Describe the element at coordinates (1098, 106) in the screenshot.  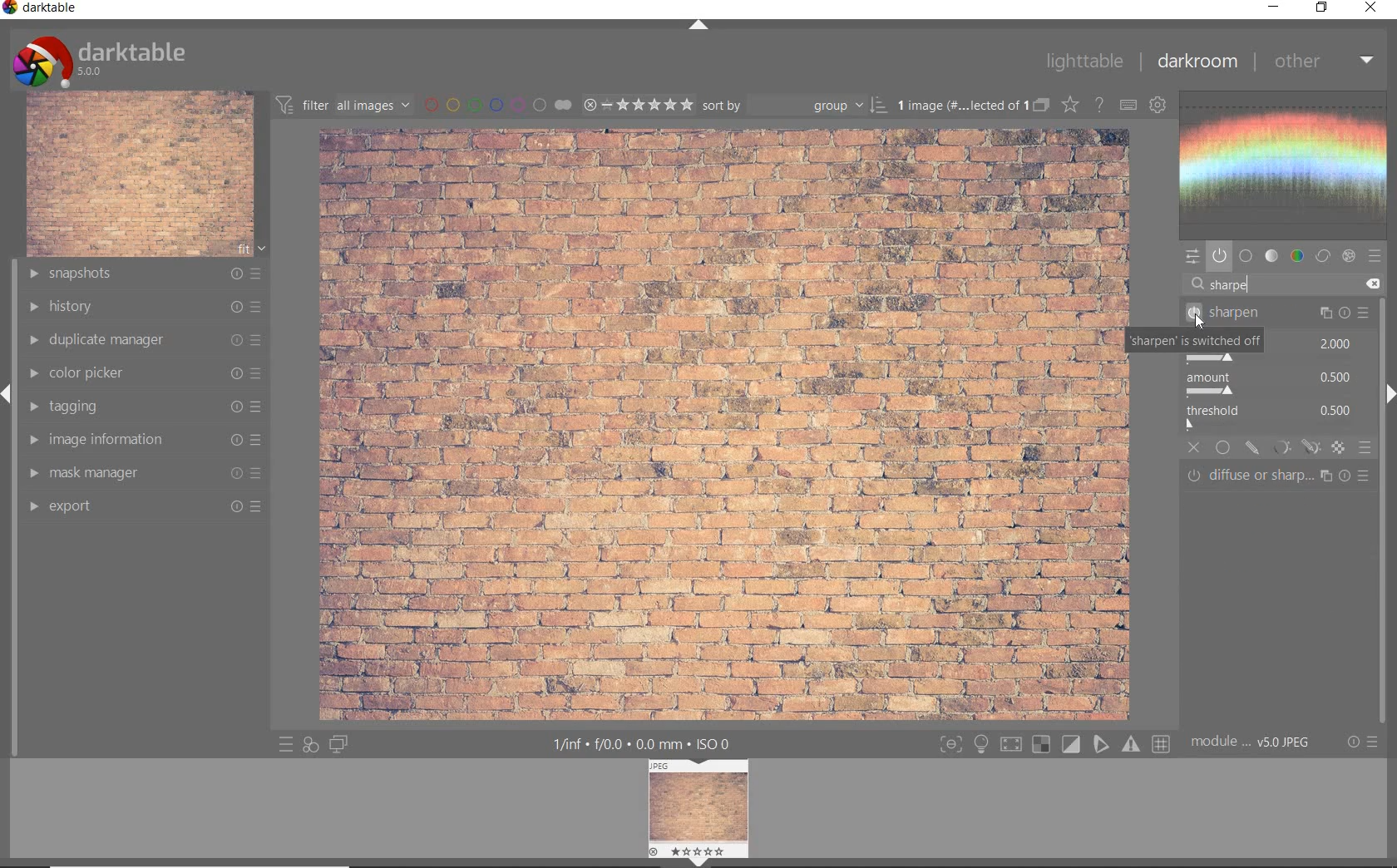
I see `enable for online help` at that location.